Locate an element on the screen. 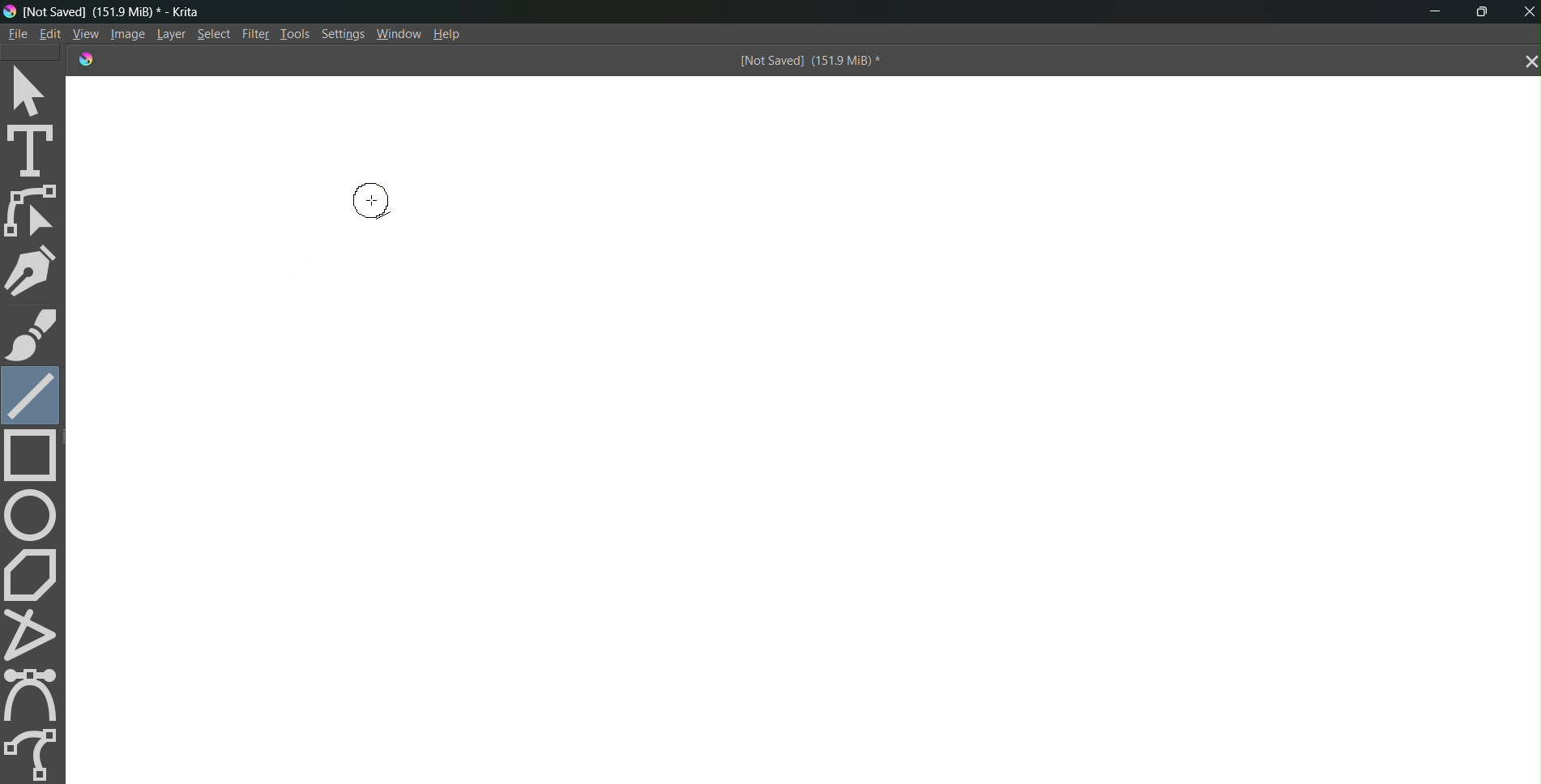 This screenshot has width=1541, height=784. Filte is located at coordinates (252, 32).